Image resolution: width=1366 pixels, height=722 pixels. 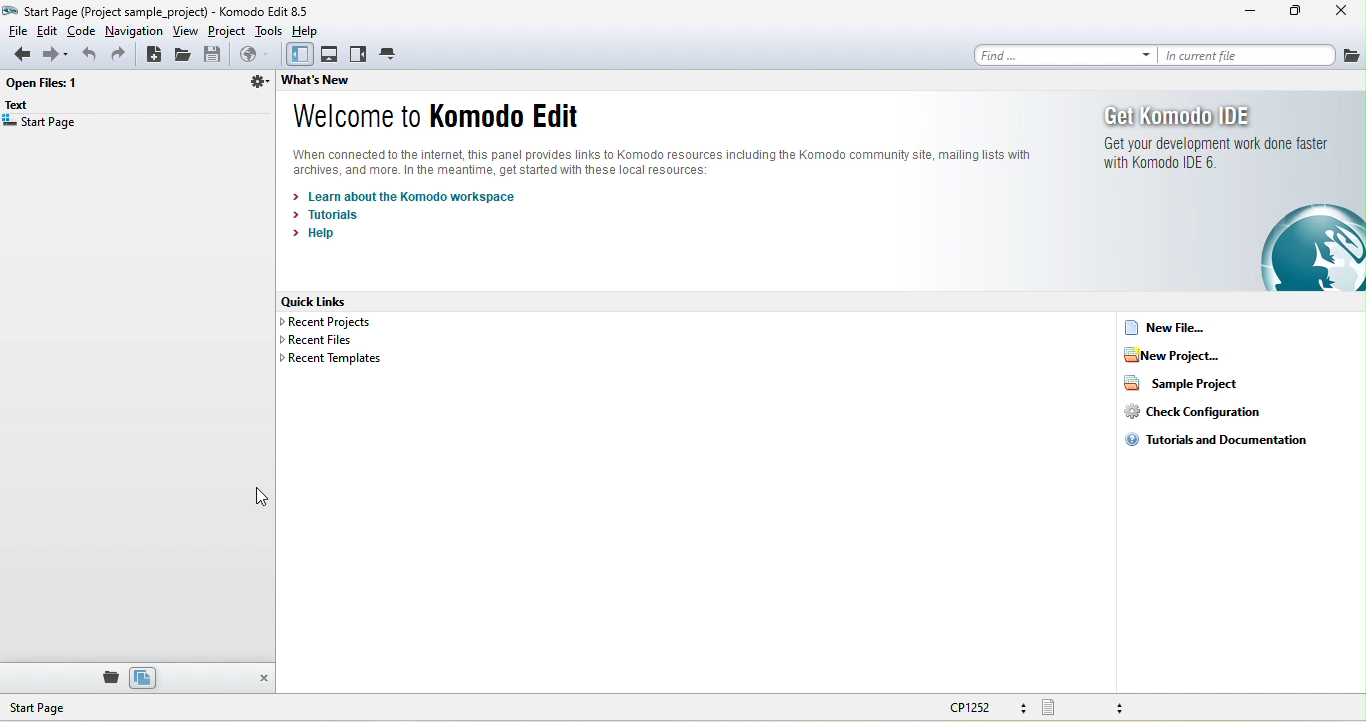 I want to click on files, so click(x=143, y=677).